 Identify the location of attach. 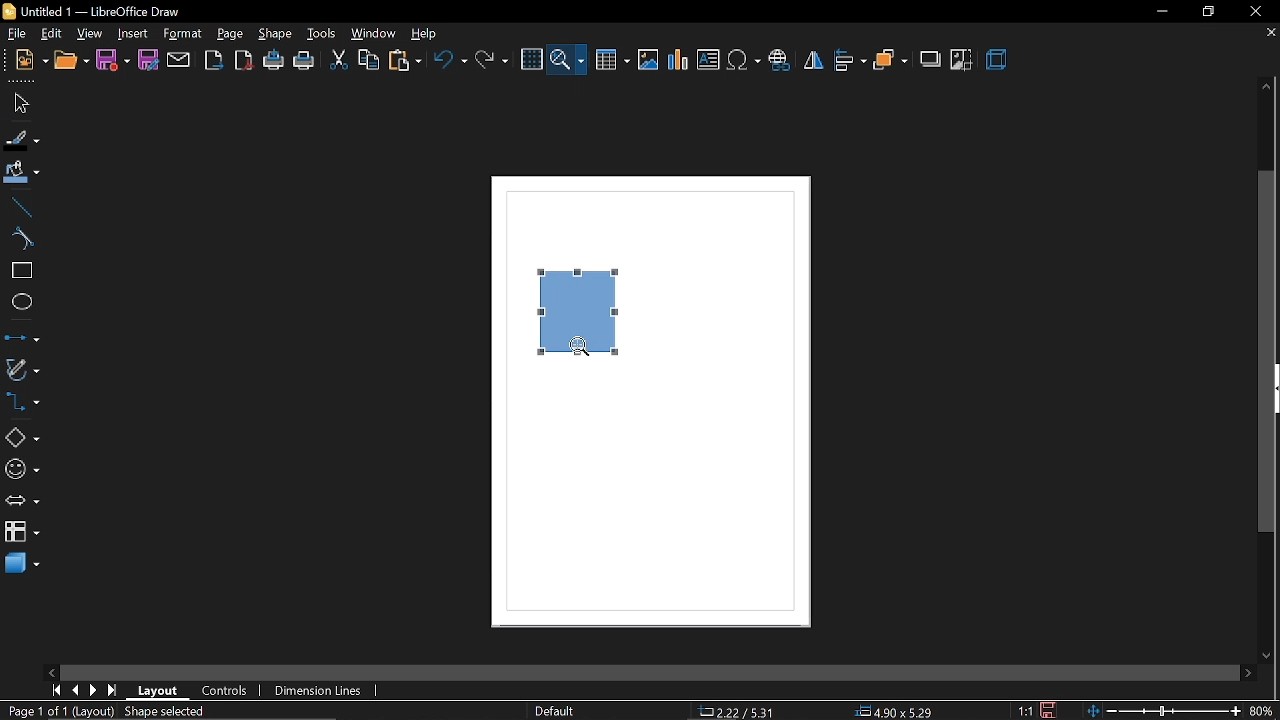
(179, 59).